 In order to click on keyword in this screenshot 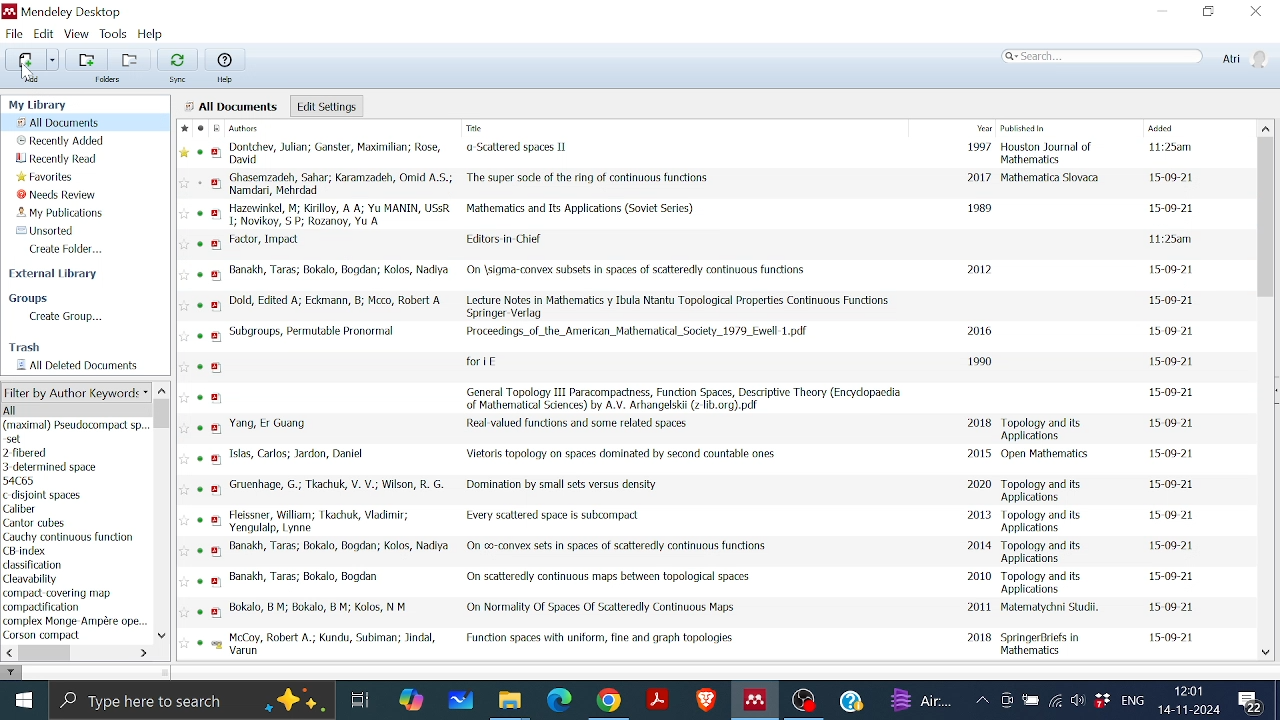, I will do `click(69, 538)`.